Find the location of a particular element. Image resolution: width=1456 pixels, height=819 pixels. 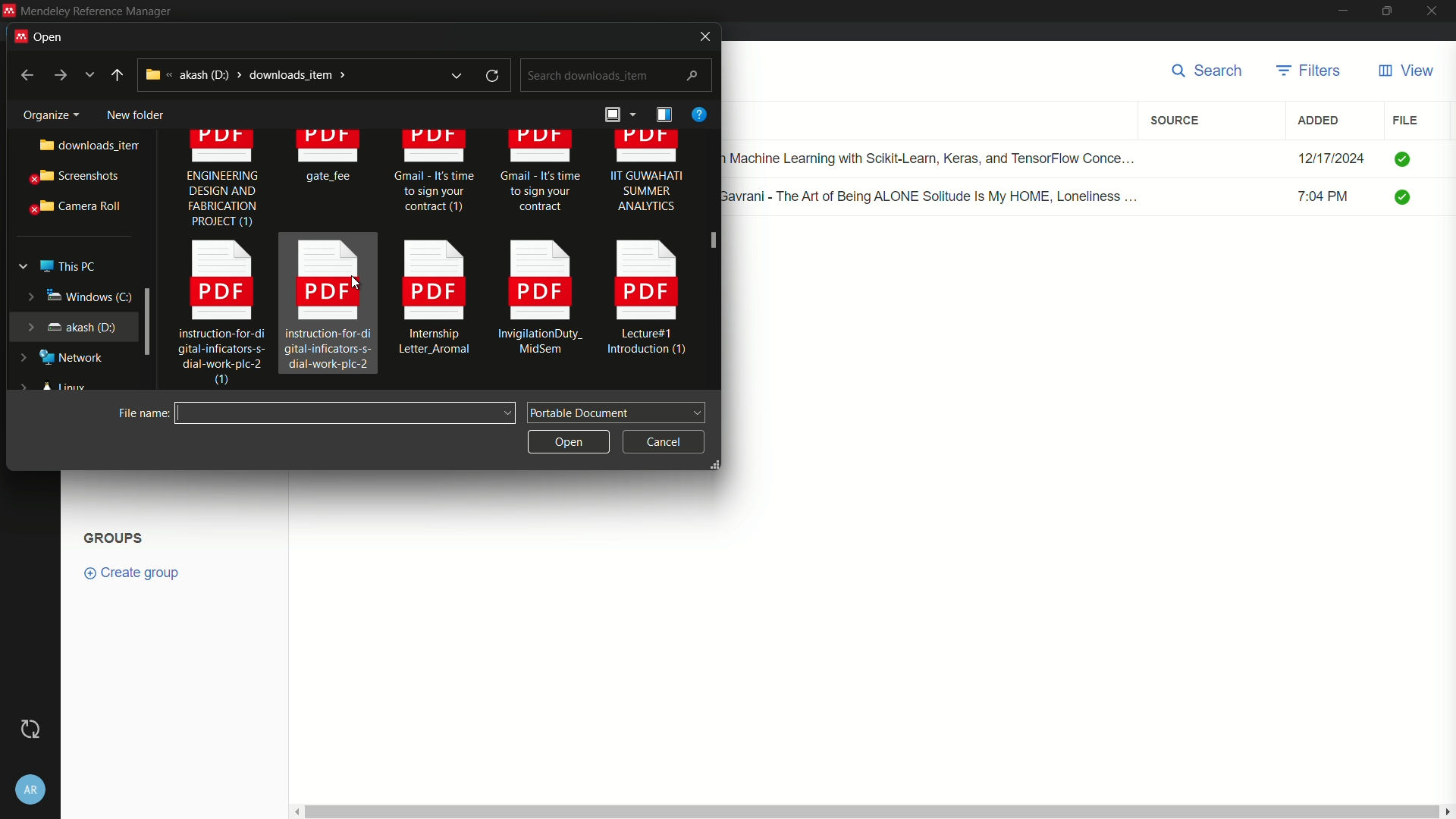

7:04 PM is located at coordinates (1332, 199).